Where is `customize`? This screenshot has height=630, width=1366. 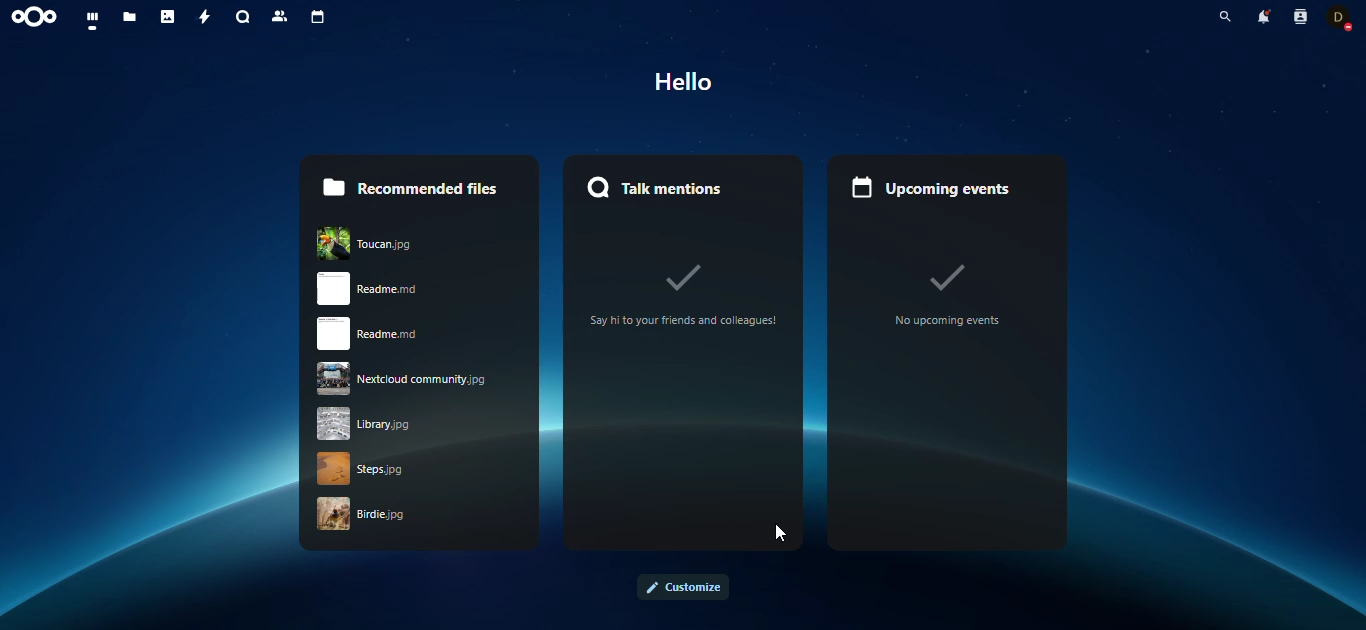 customize is located at coordinates (682, 588).